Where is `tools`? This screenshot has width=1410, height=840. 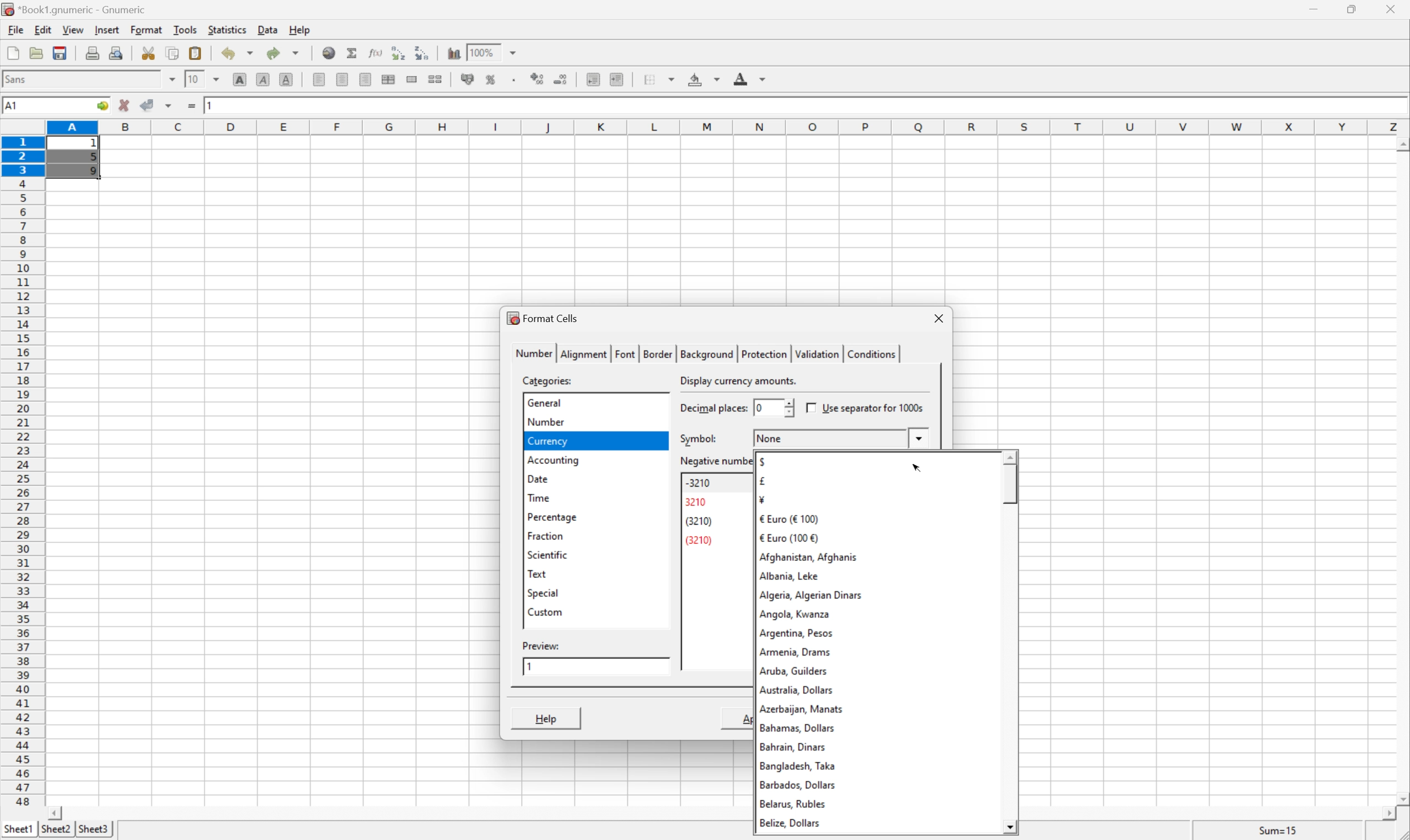
tools is located at coordinates (186, 29).